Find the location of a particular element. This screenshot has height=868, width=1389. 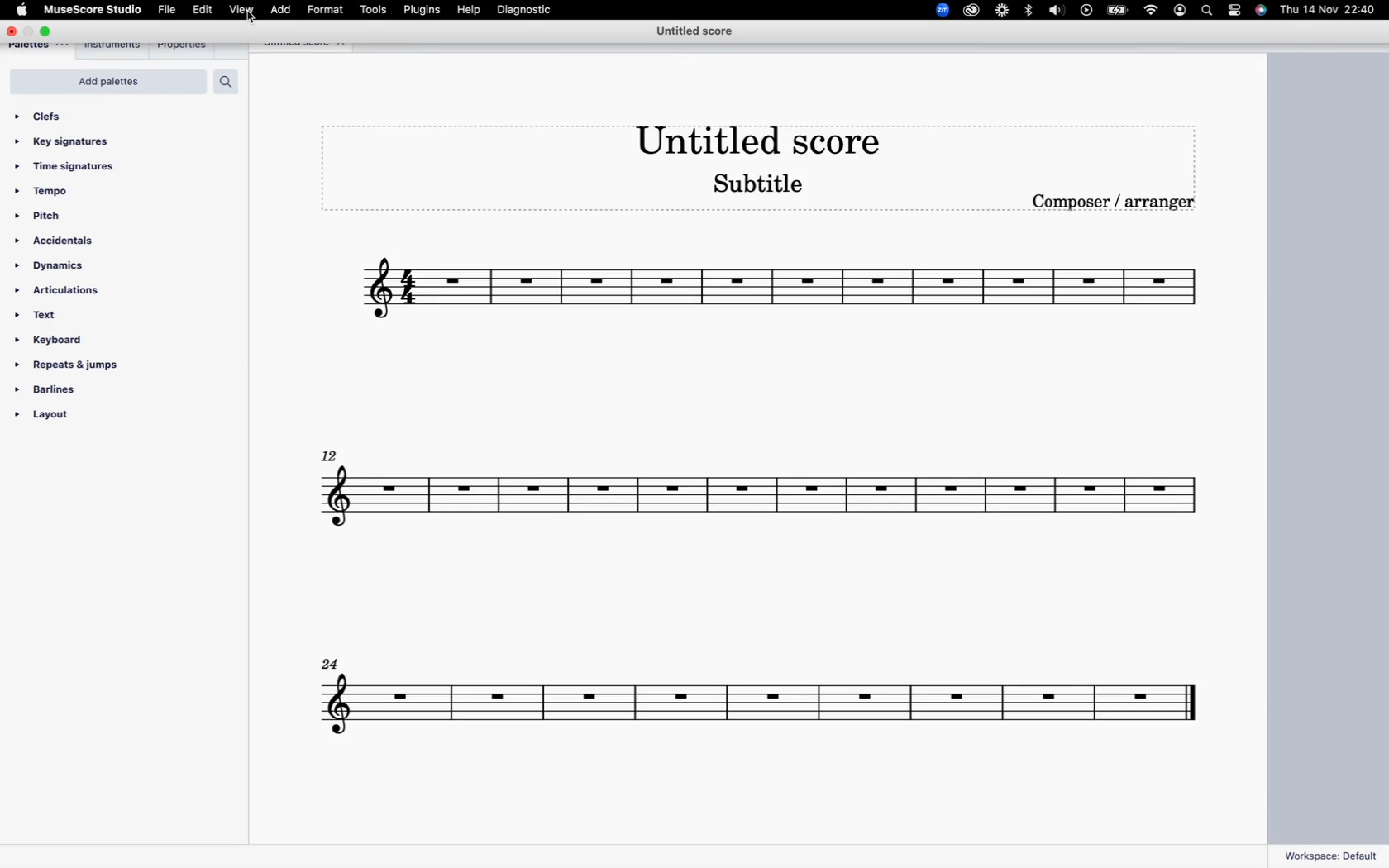

plugins is located at coordinates (424, 11).